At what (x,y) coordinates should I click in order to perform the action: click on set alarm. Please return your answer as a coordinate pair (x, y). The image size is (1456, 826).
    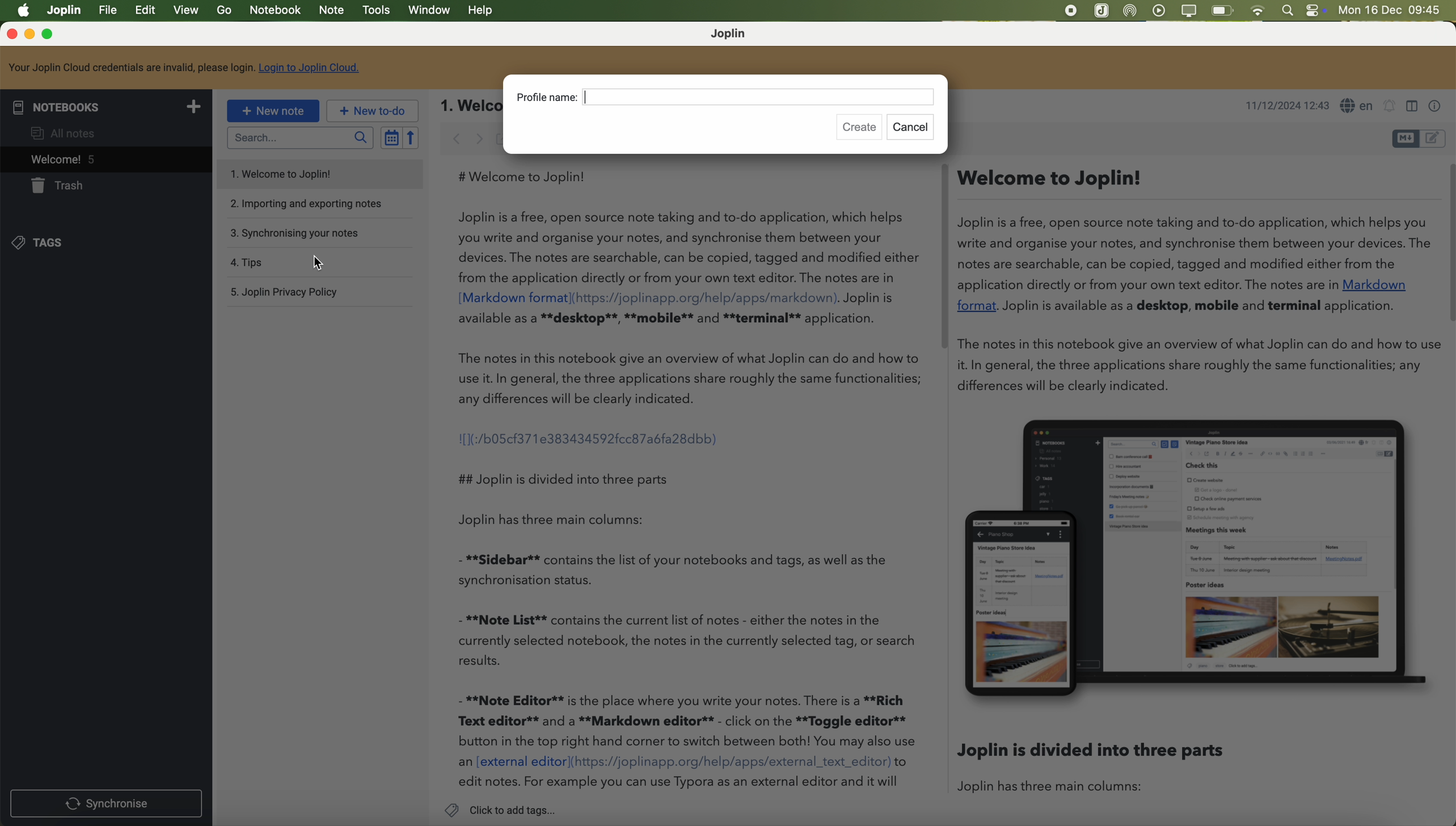
    Looking at the image, I should click on (1390, 108).